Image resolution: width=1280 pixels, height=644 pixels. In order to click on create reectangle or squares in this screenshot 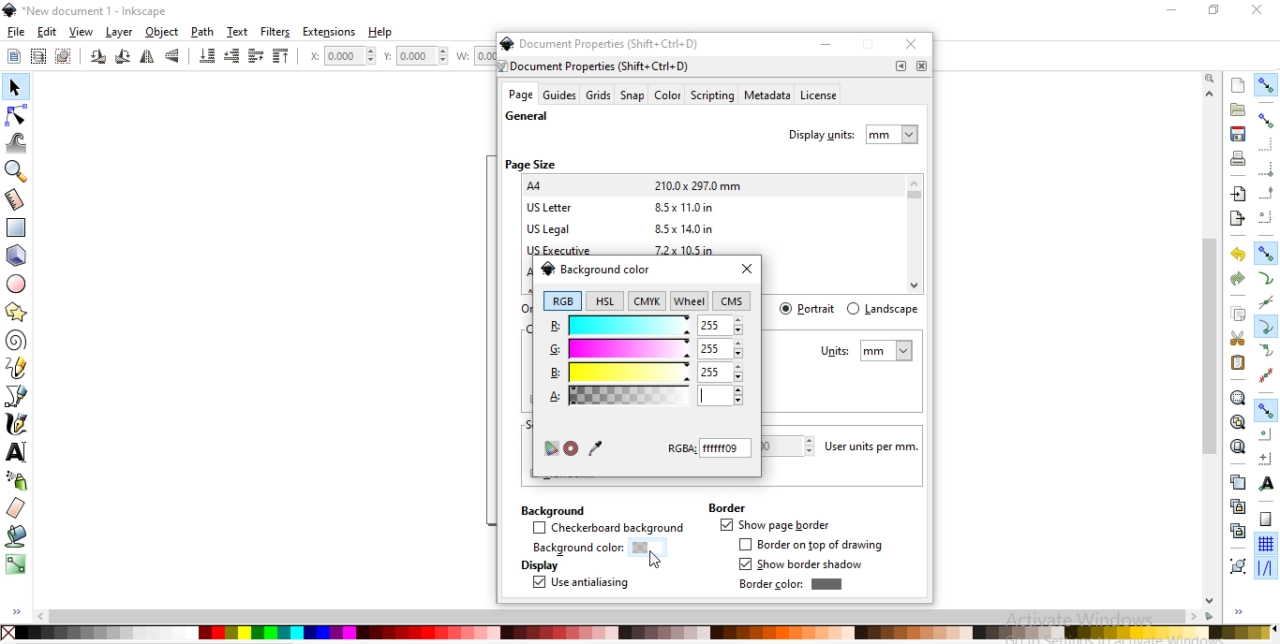, I will do `click(16, 226)`.